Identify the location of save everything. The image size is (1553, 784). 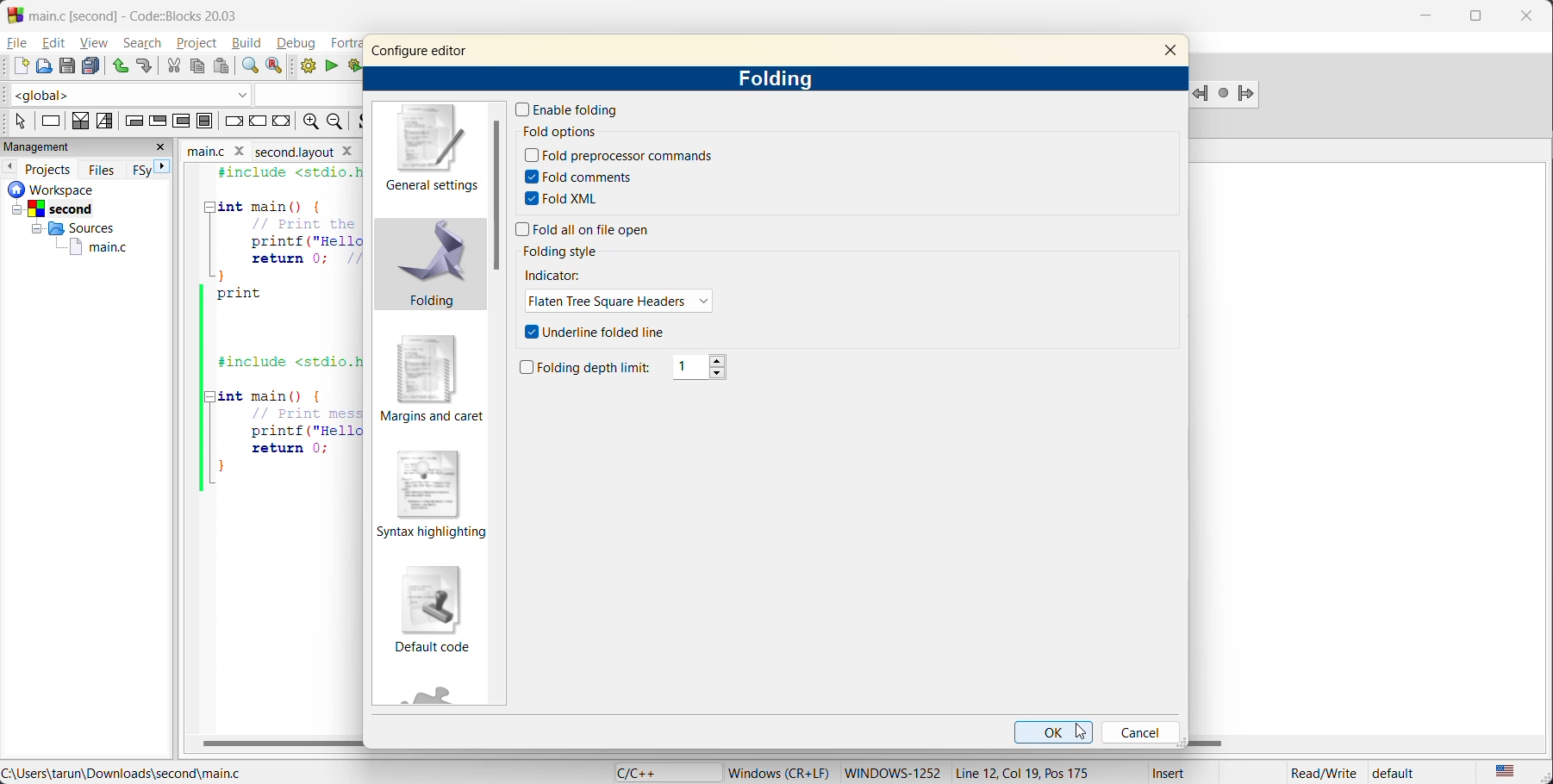
(90, 65).